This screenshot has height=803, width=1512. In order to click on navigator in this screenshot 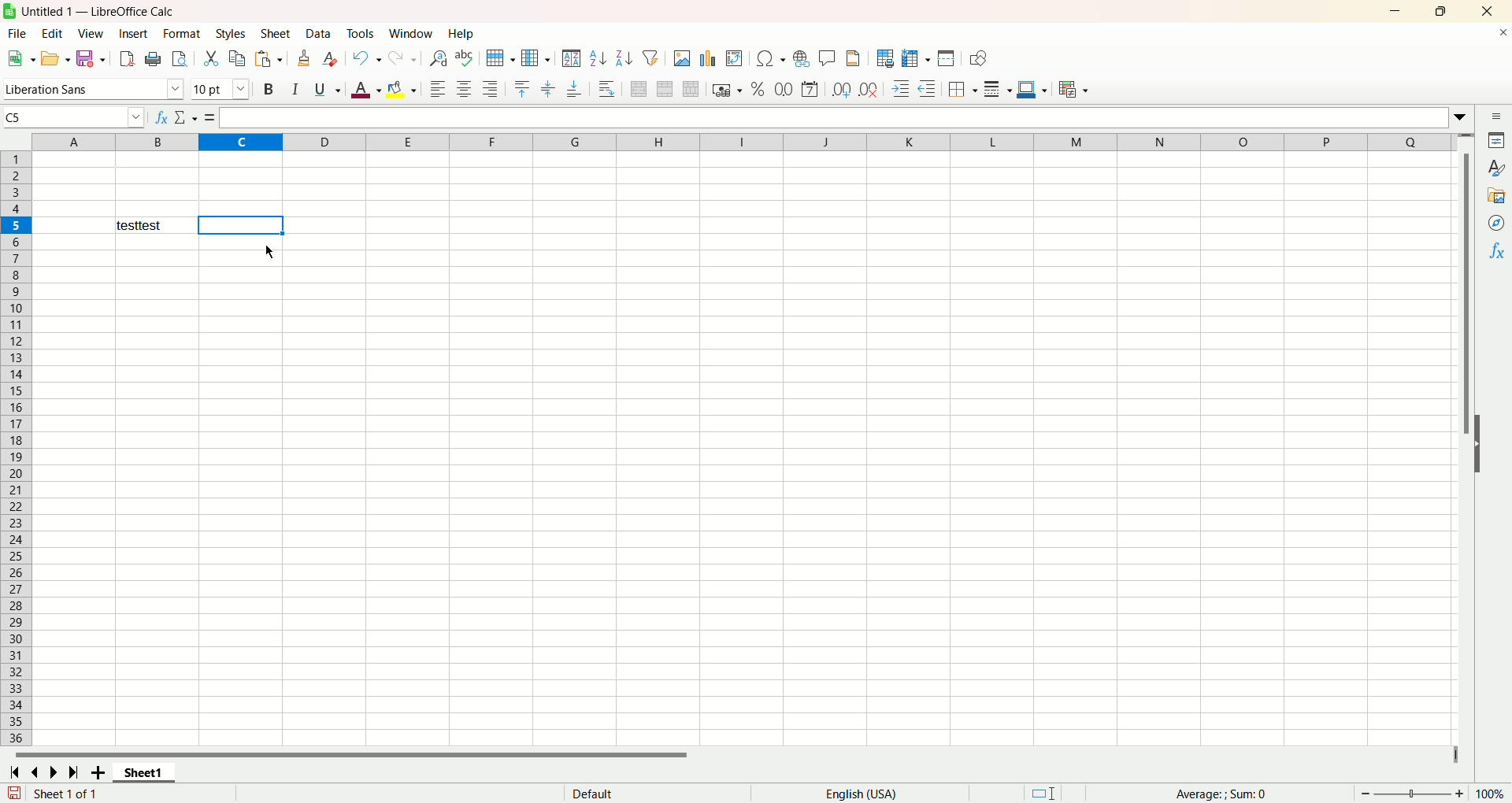, I will do `click(1498, 223)`.